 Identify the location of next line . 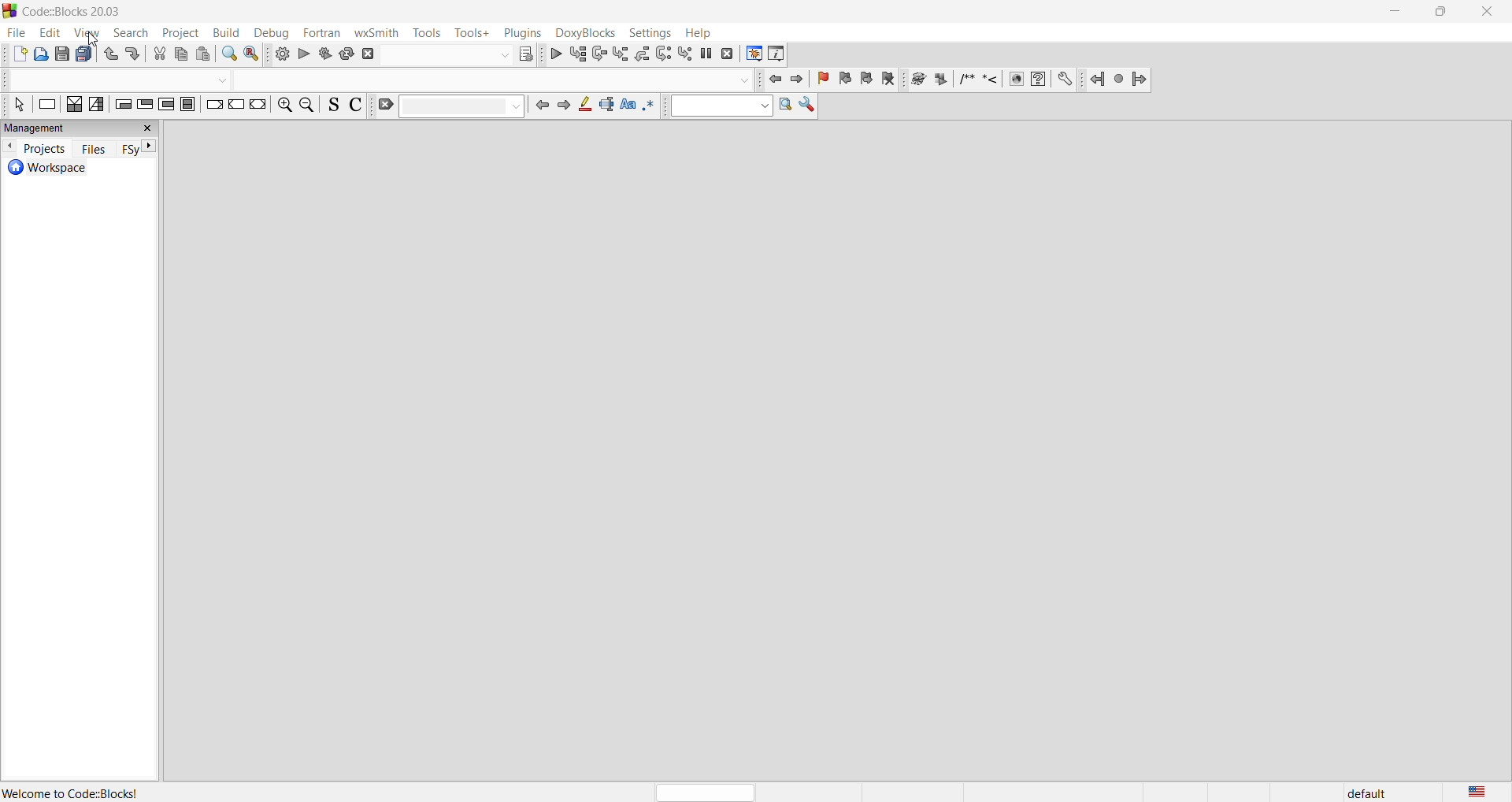
(598, 53).